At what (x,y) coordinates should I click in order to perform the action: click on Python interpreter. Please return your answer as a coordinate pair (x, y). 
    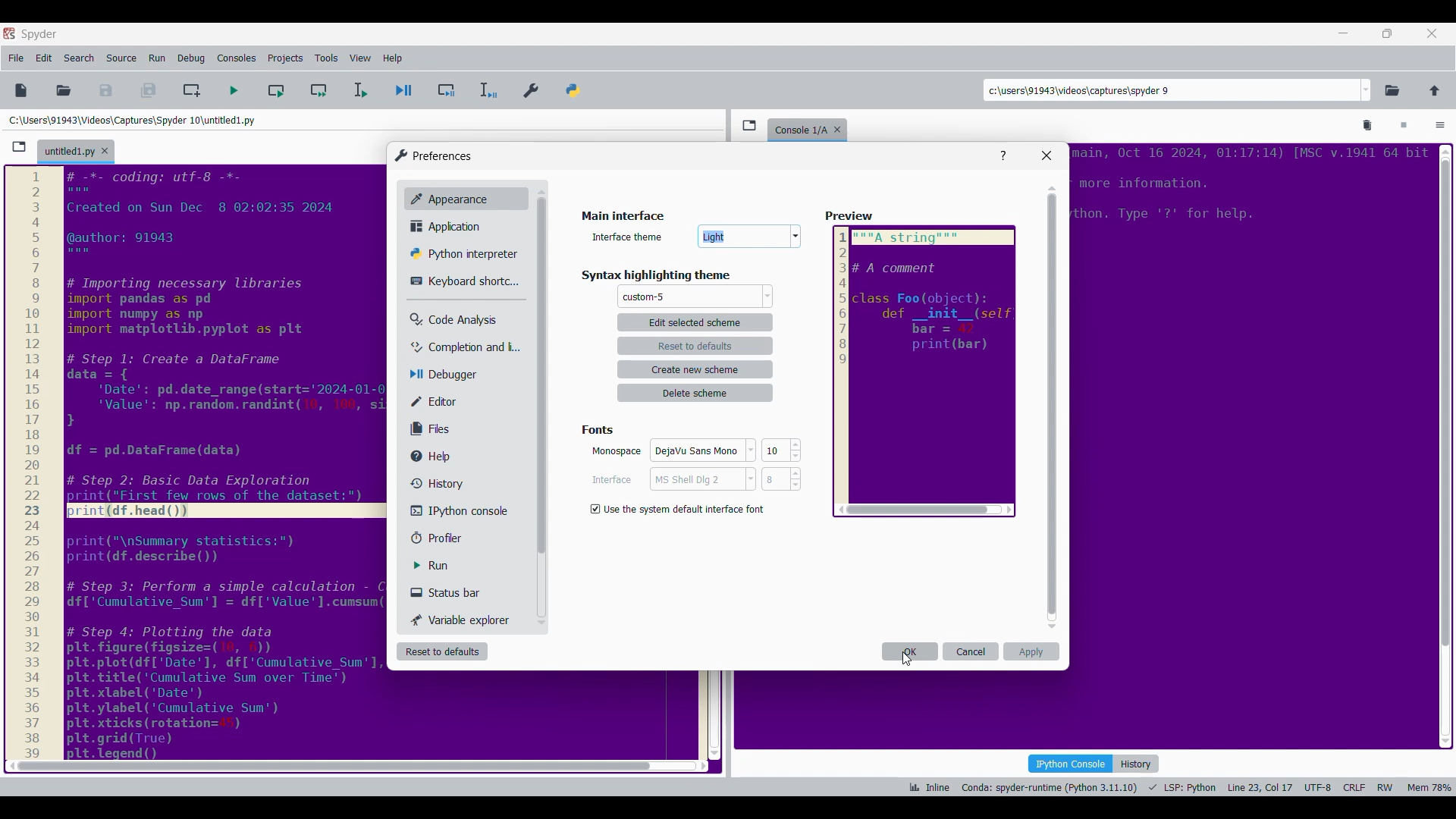
    Looking at the image, I should click on (460, 253).